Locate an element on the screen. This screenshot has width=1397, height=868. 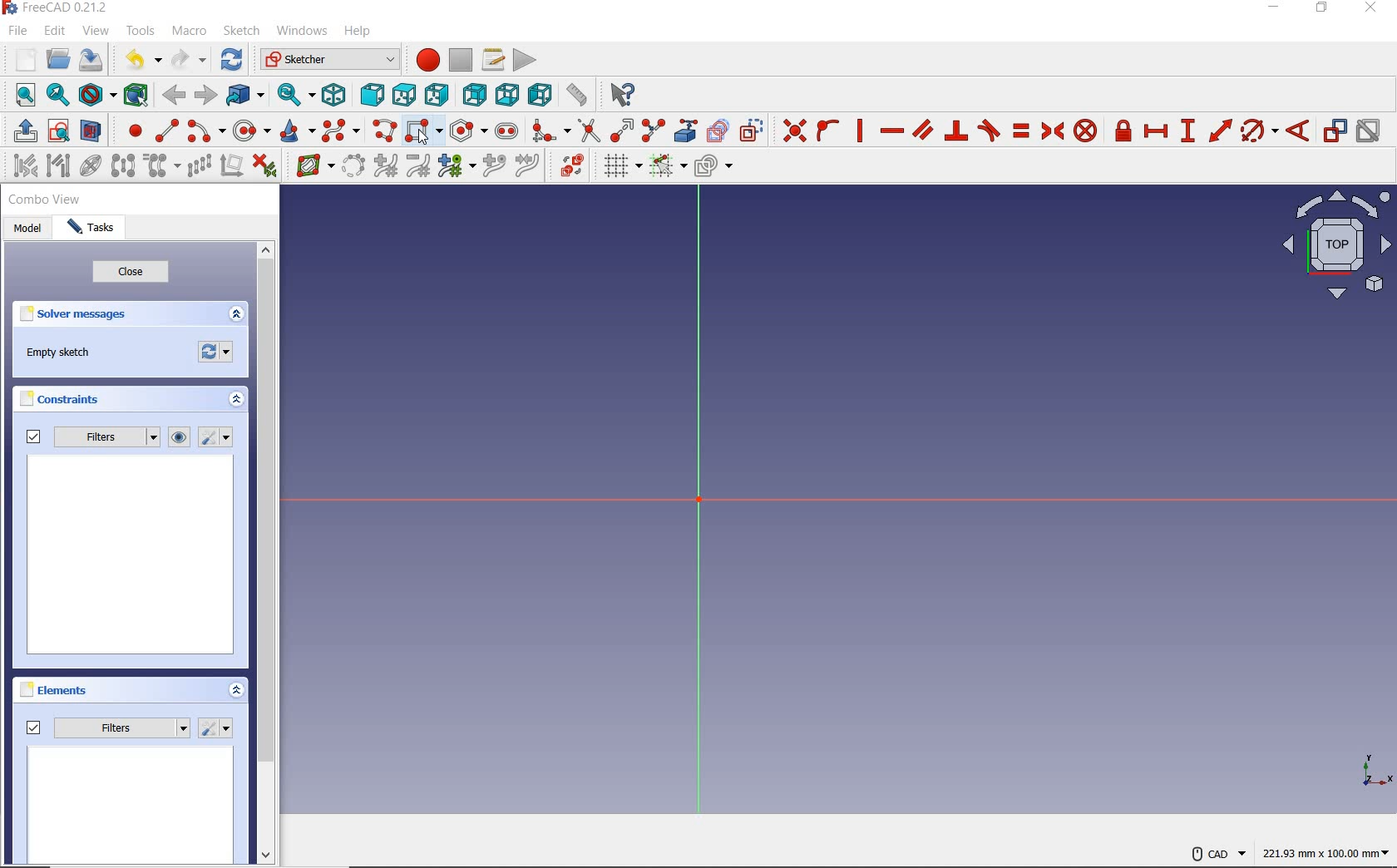
preview is located at coordinates (131, 806).